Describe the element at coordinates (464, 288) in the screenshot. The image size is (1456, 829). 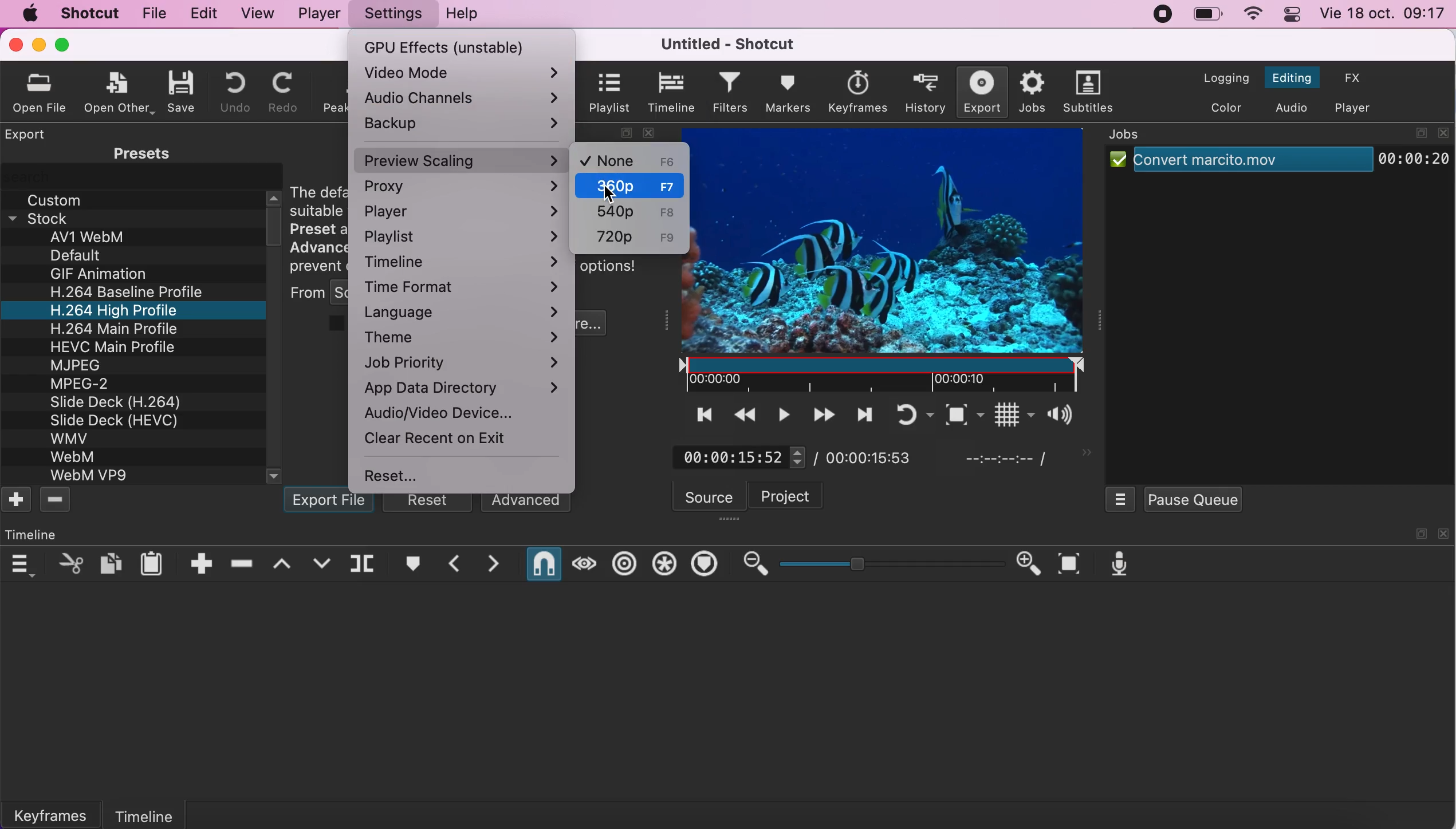
I see `time format` at that location.